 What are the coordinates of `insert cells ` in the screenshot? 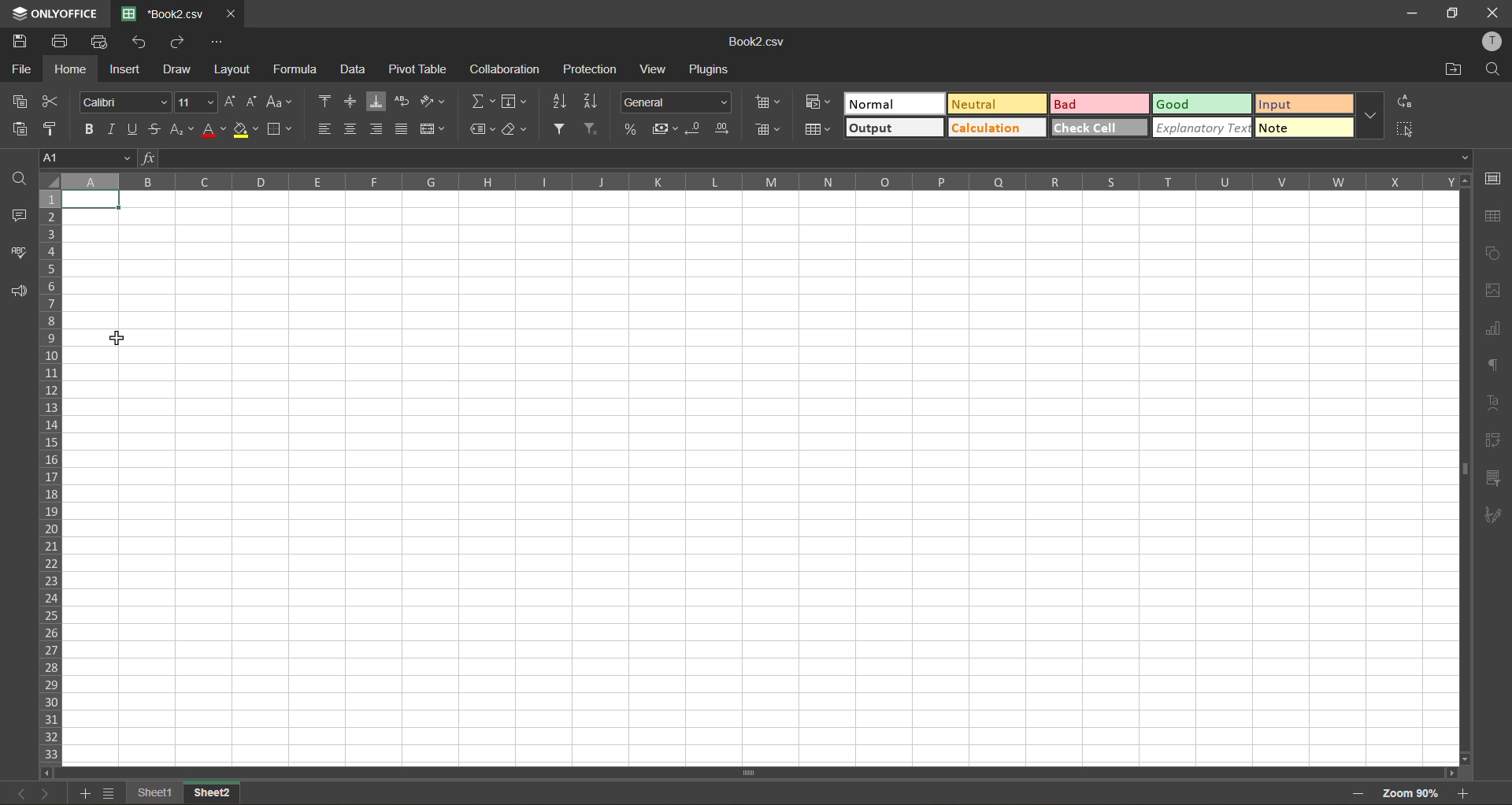 It's located at (769, 102).